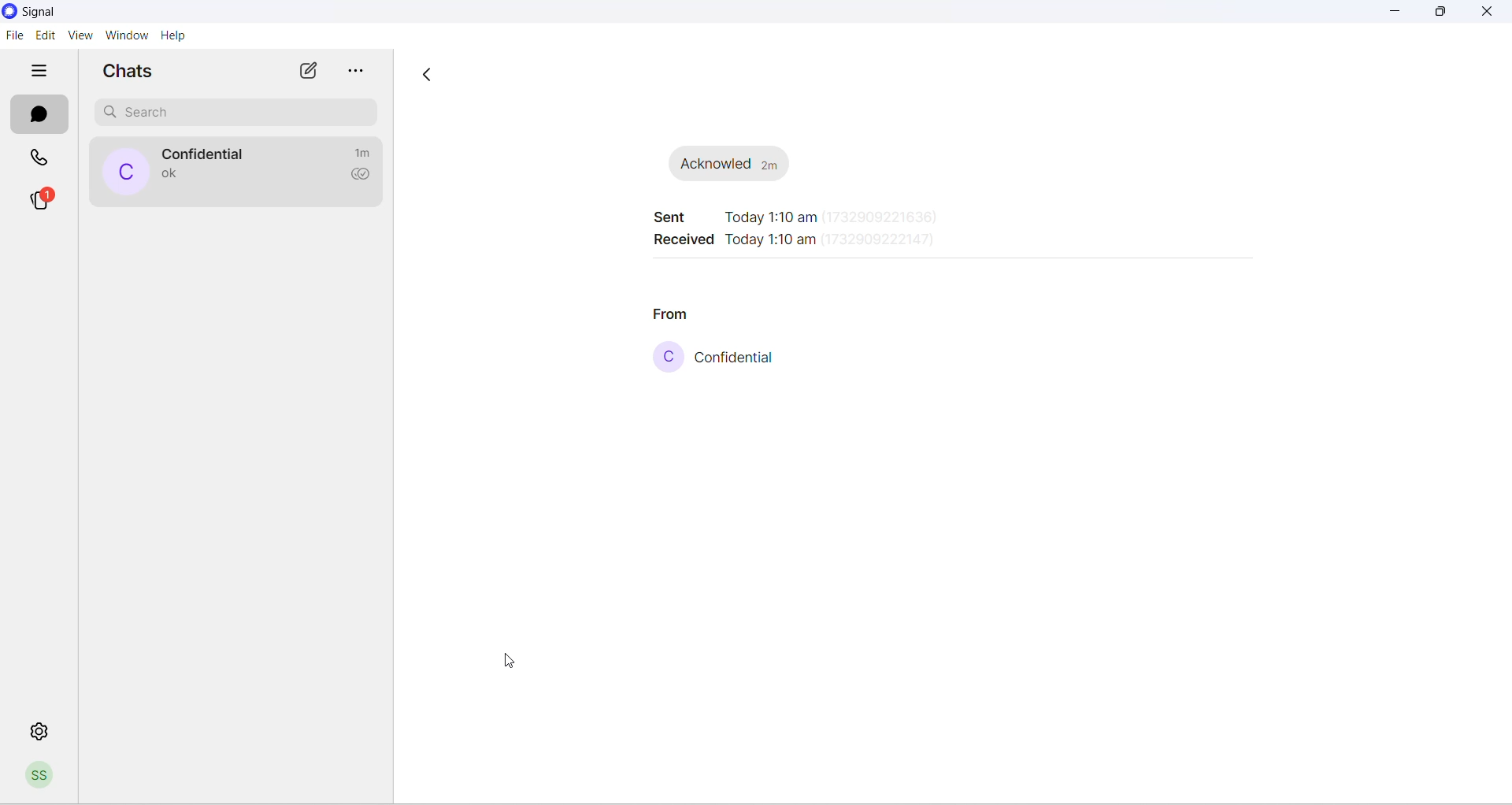  I want to click on cursor, so click(513, 659).